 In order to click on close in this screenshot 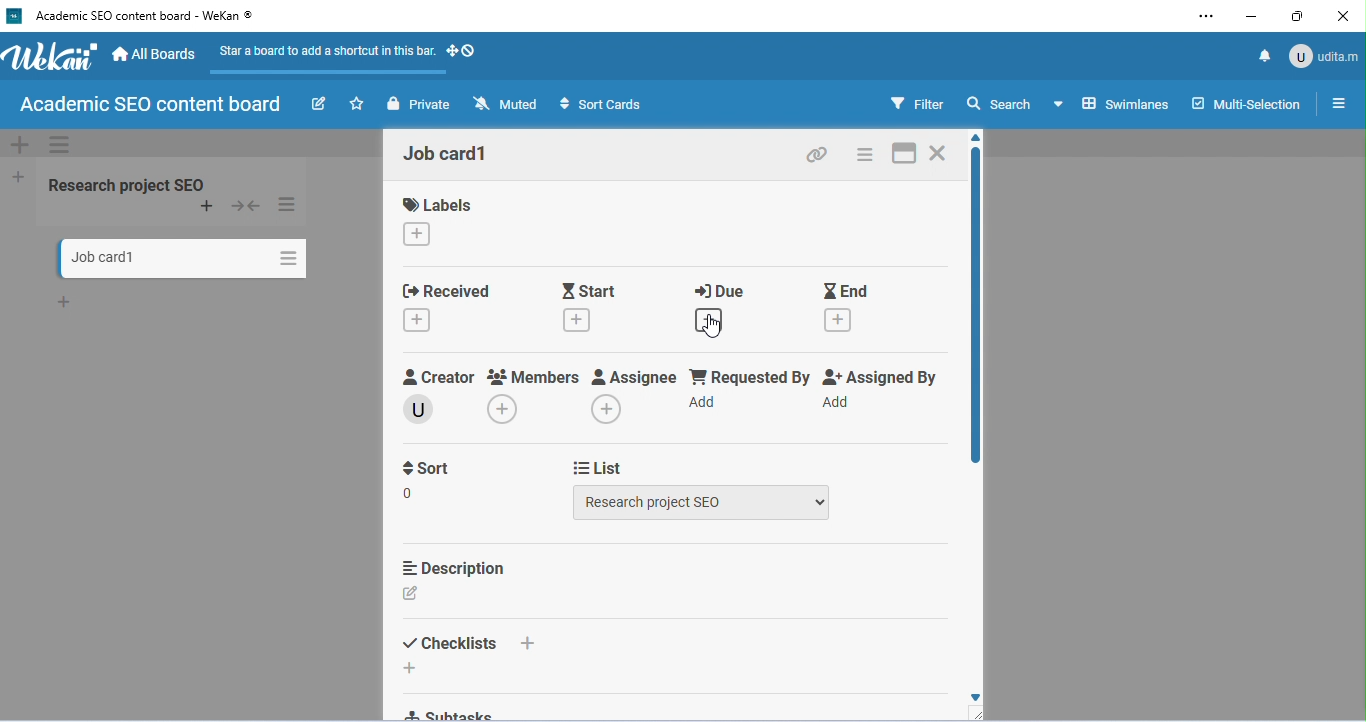, I will do `click(1342, 17)`.